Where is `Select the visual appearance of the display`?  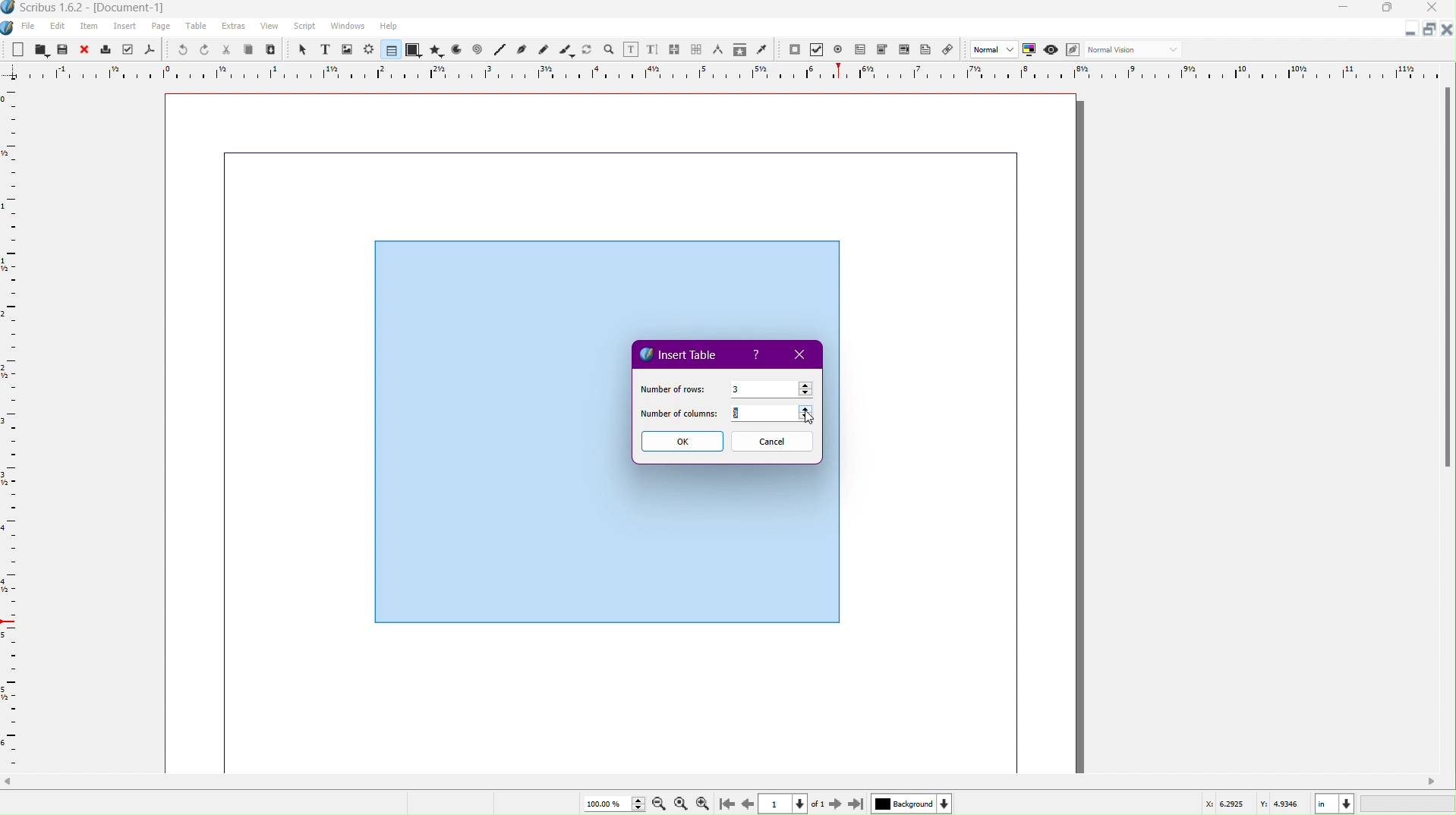 Select the visual appearance of the display is located at coordinates (1136, 50).